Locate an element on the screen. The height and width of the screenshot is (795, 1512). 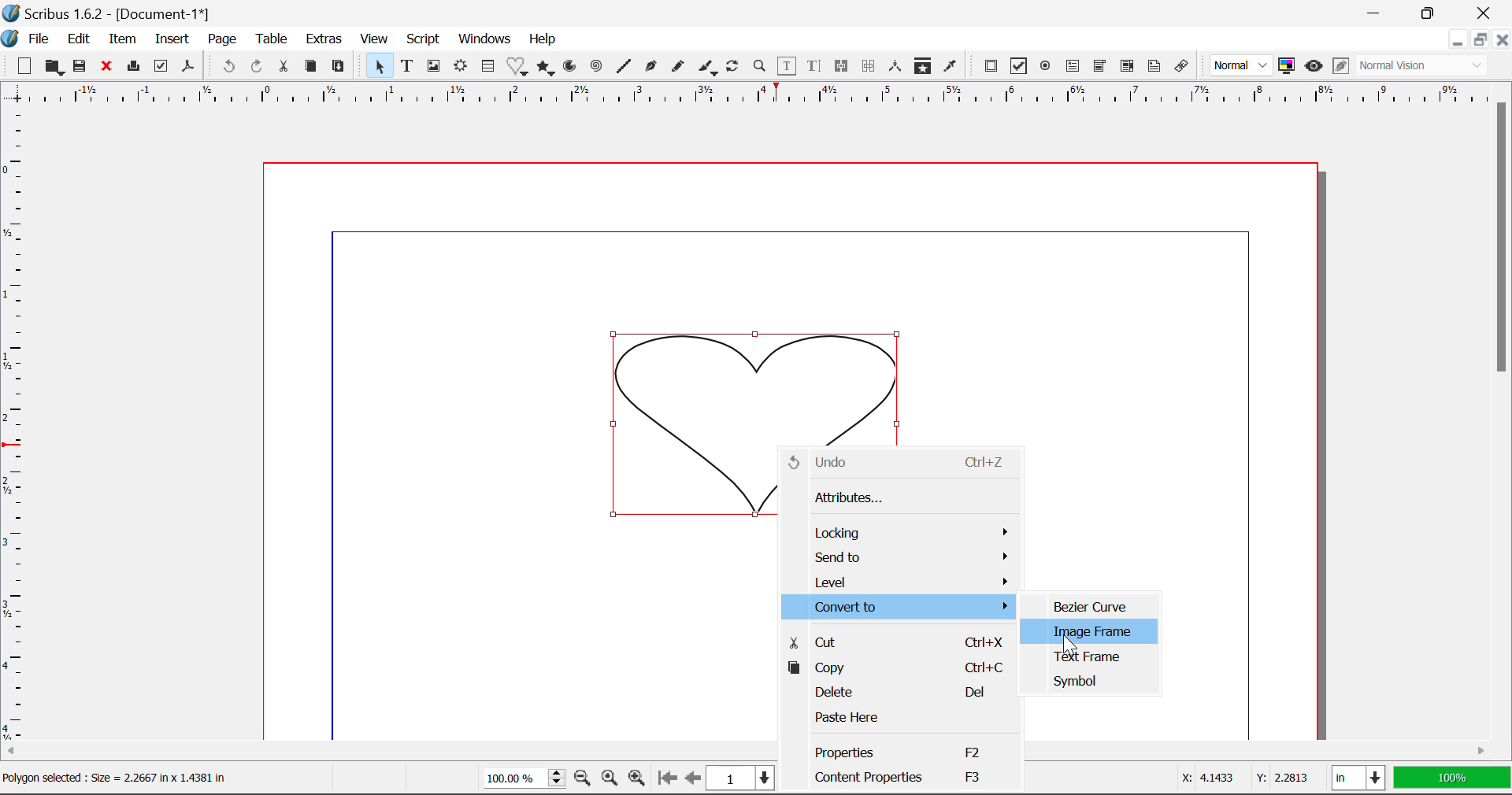
Insert is located at coordinates (170, 39).